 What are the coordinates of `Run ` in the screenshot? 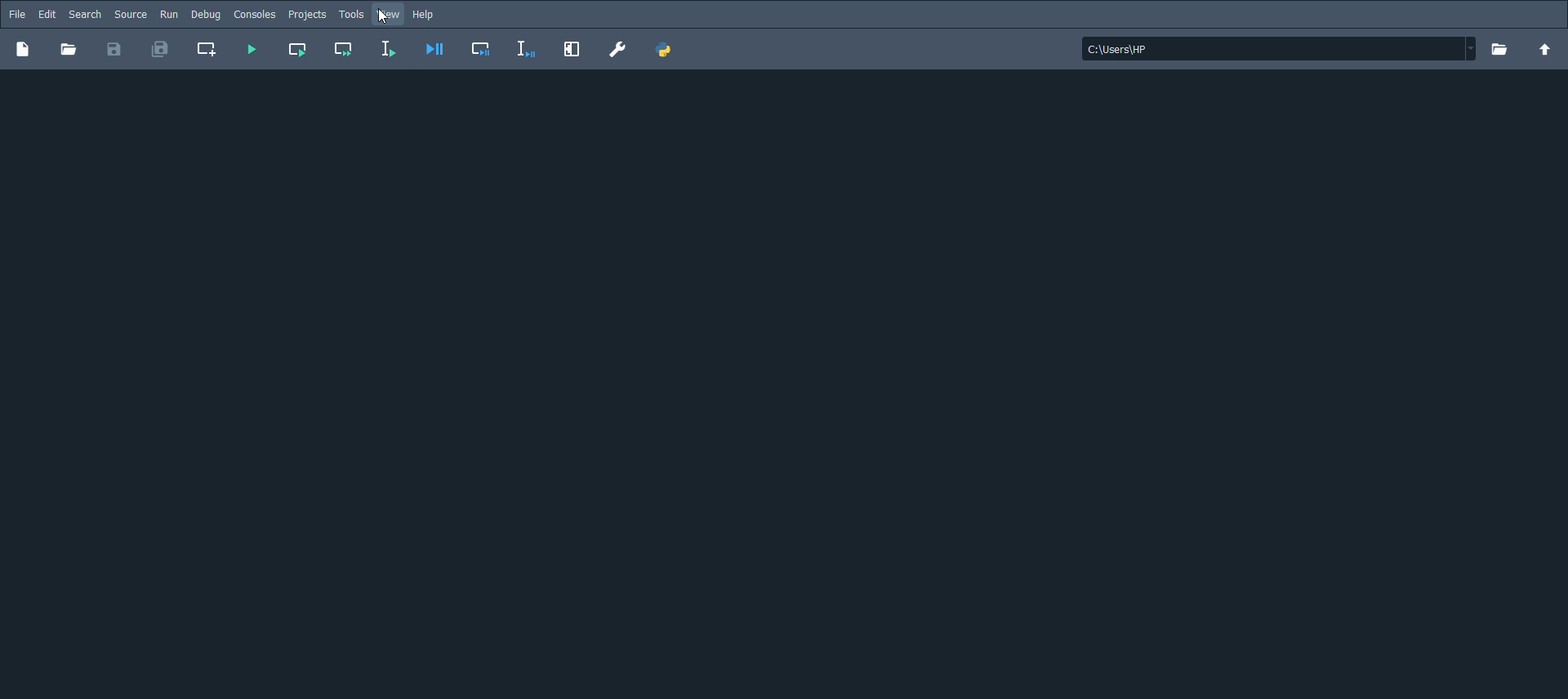 It's located at (168, 14).